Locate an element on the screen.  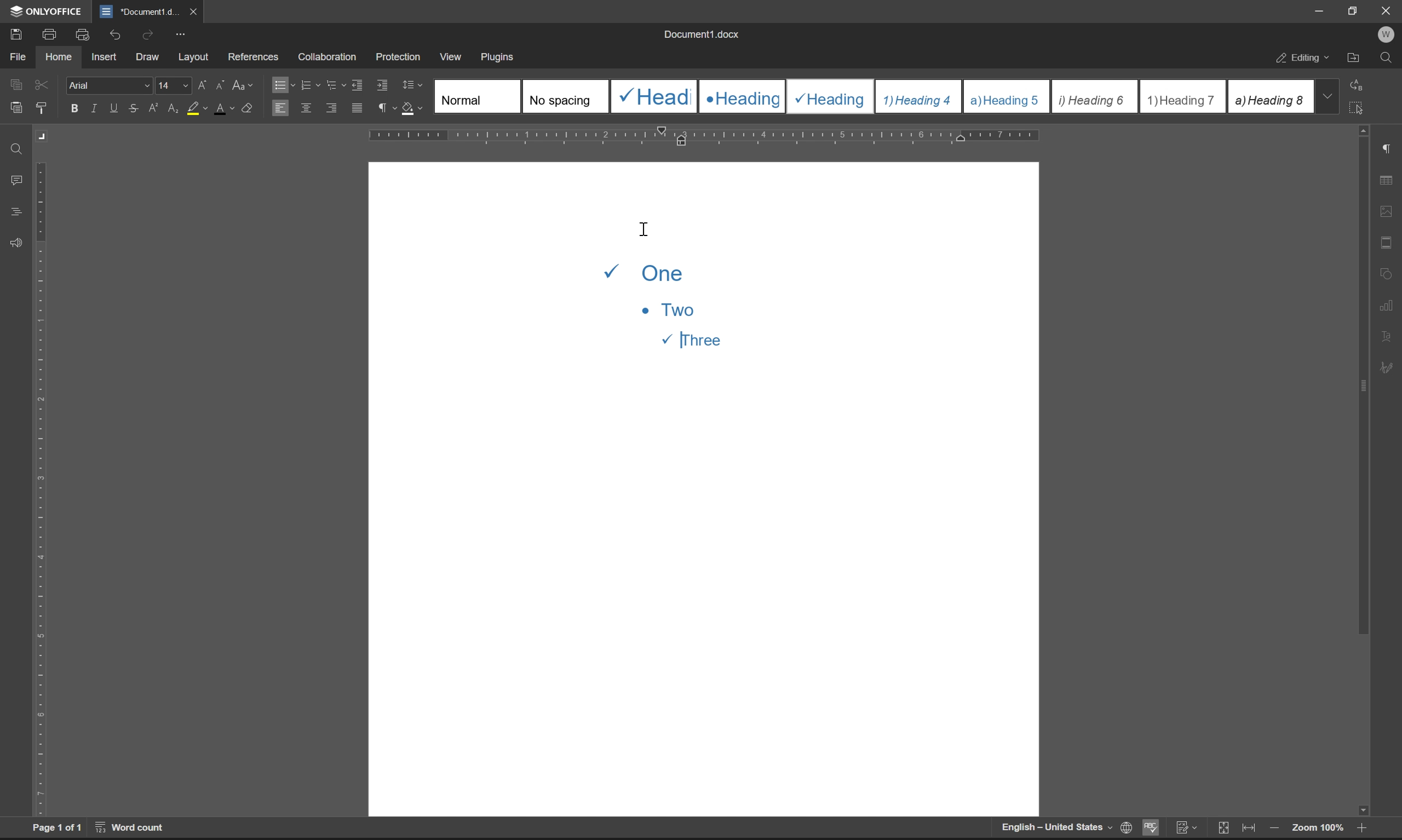
shading is located at coordinates (410, 106).